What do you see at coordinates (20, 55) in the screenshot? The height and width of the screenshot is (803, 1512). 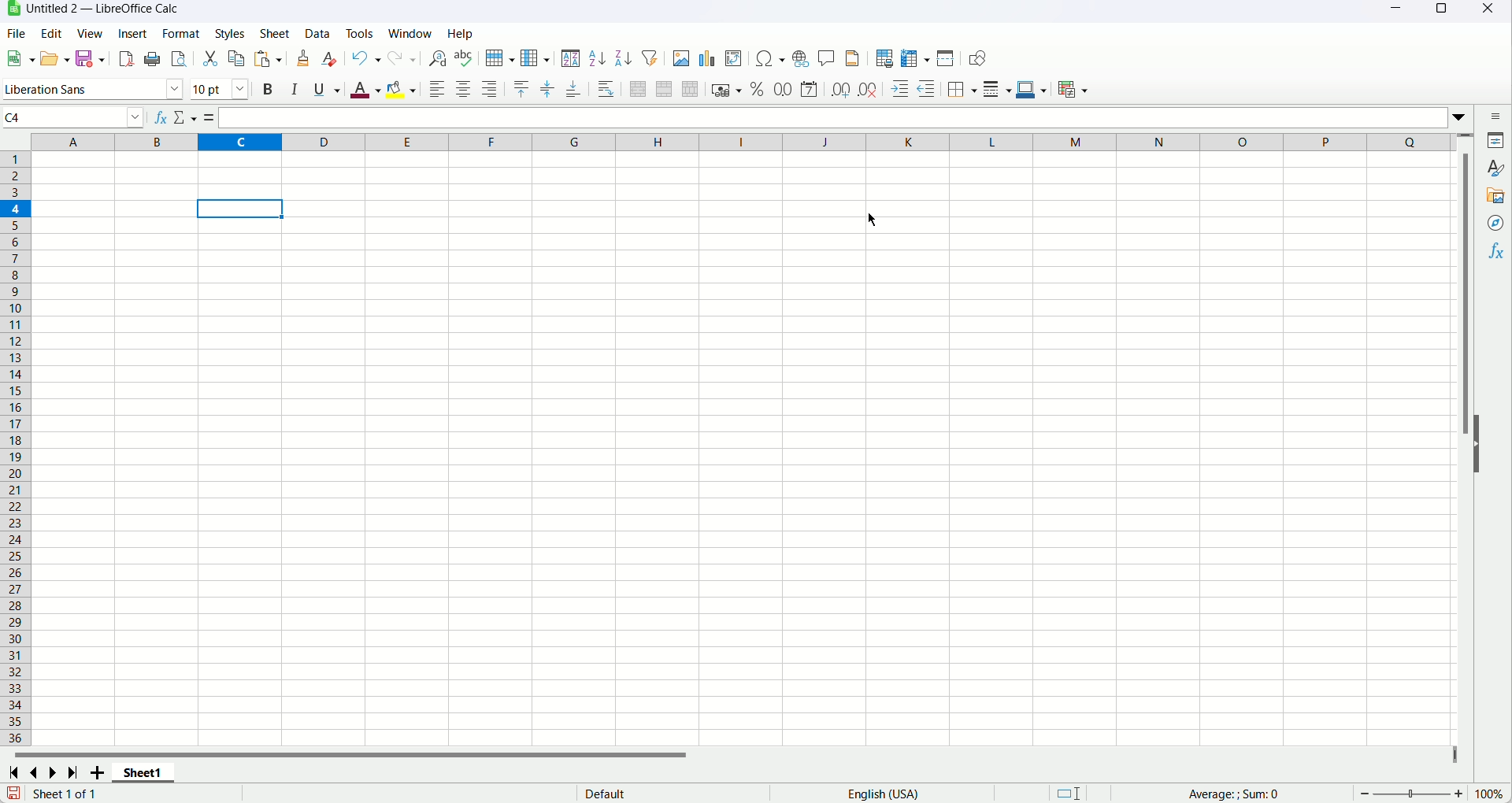 I see `New` at bounding box center [20, 55].